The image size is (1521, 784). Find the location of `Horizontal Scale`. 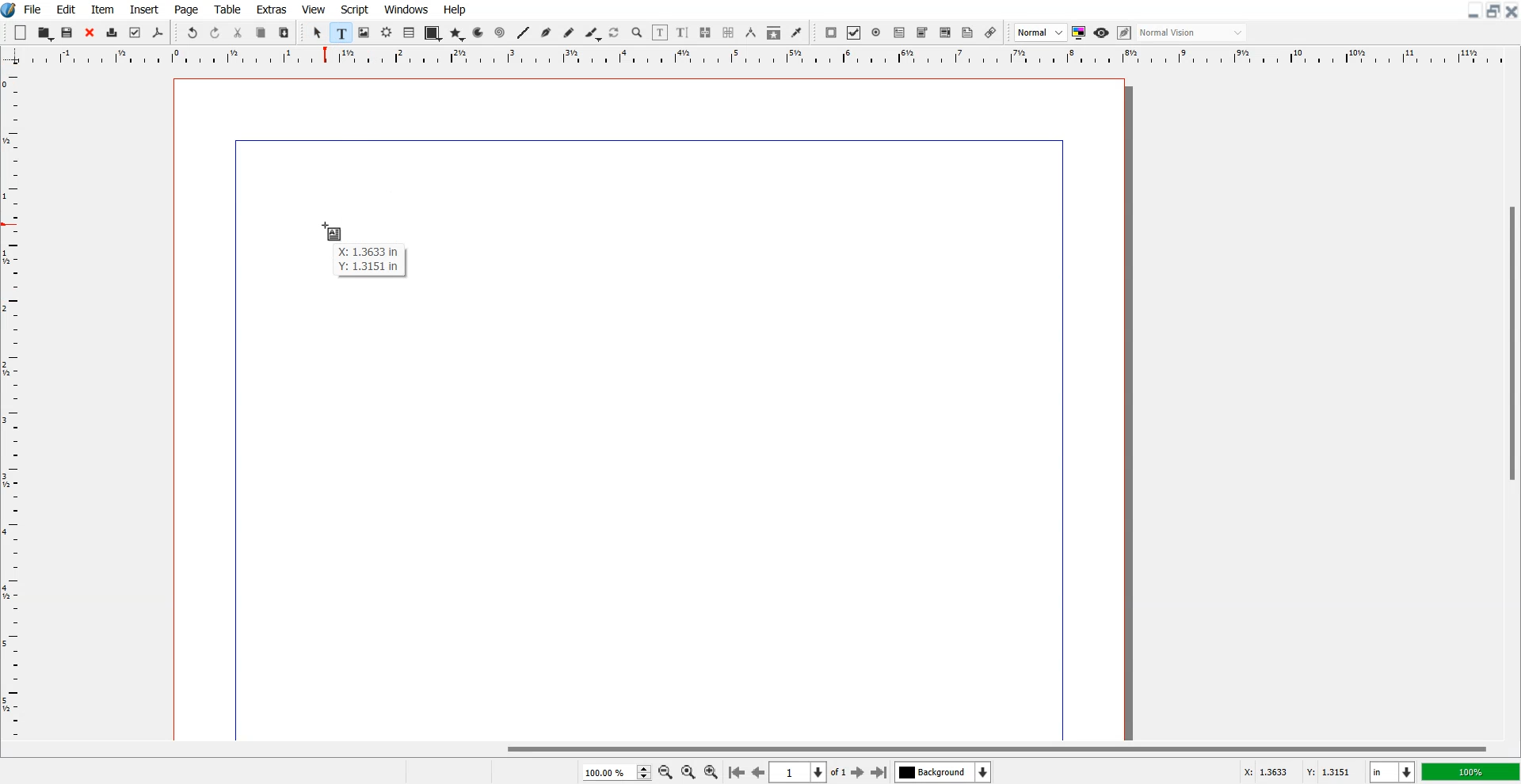

Horizontal Scale is located at coordinates (778, 57).